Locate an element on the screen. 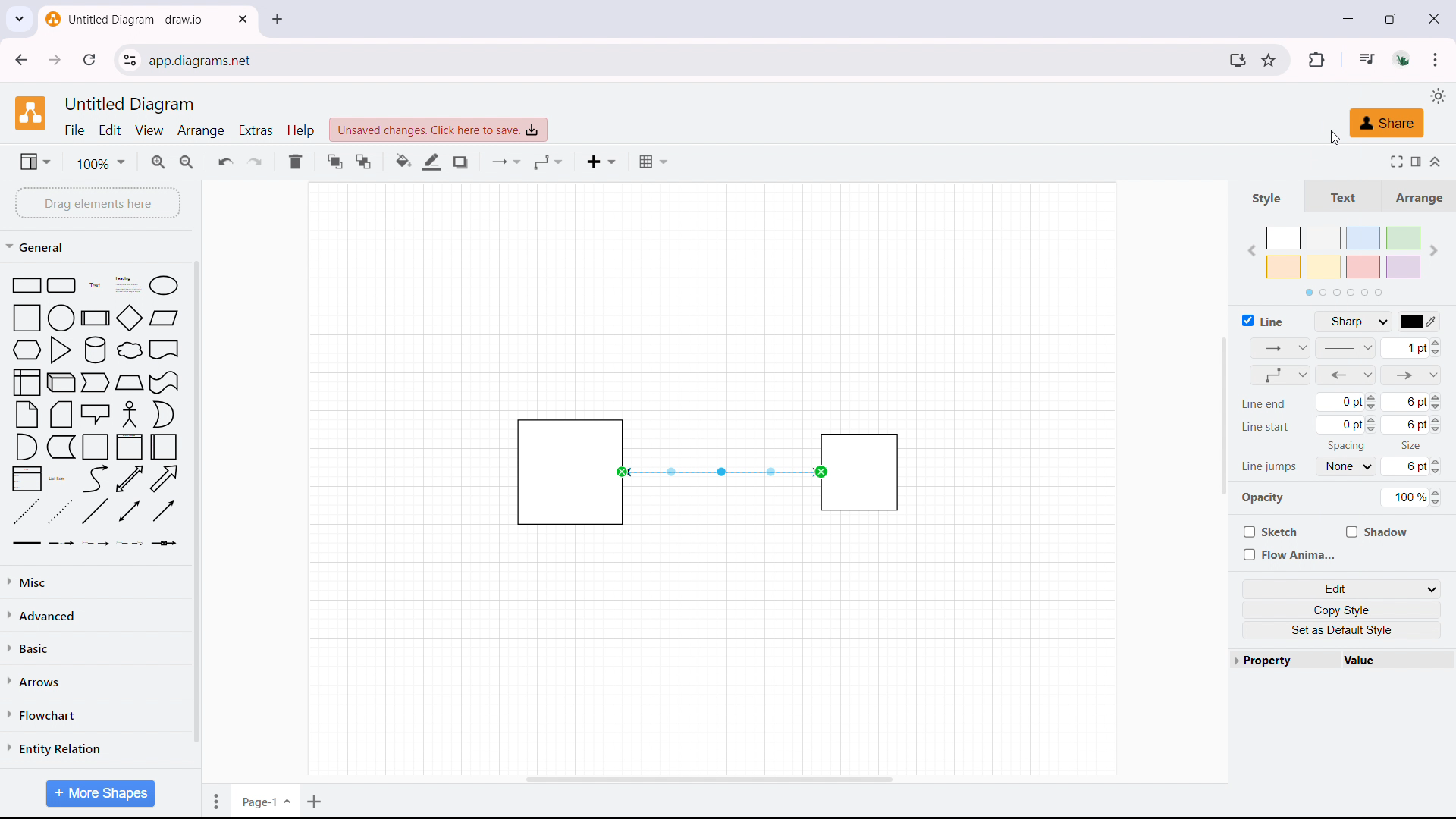 This screenshot has height=819, width=1456. view is located at coordinates (34, 161).